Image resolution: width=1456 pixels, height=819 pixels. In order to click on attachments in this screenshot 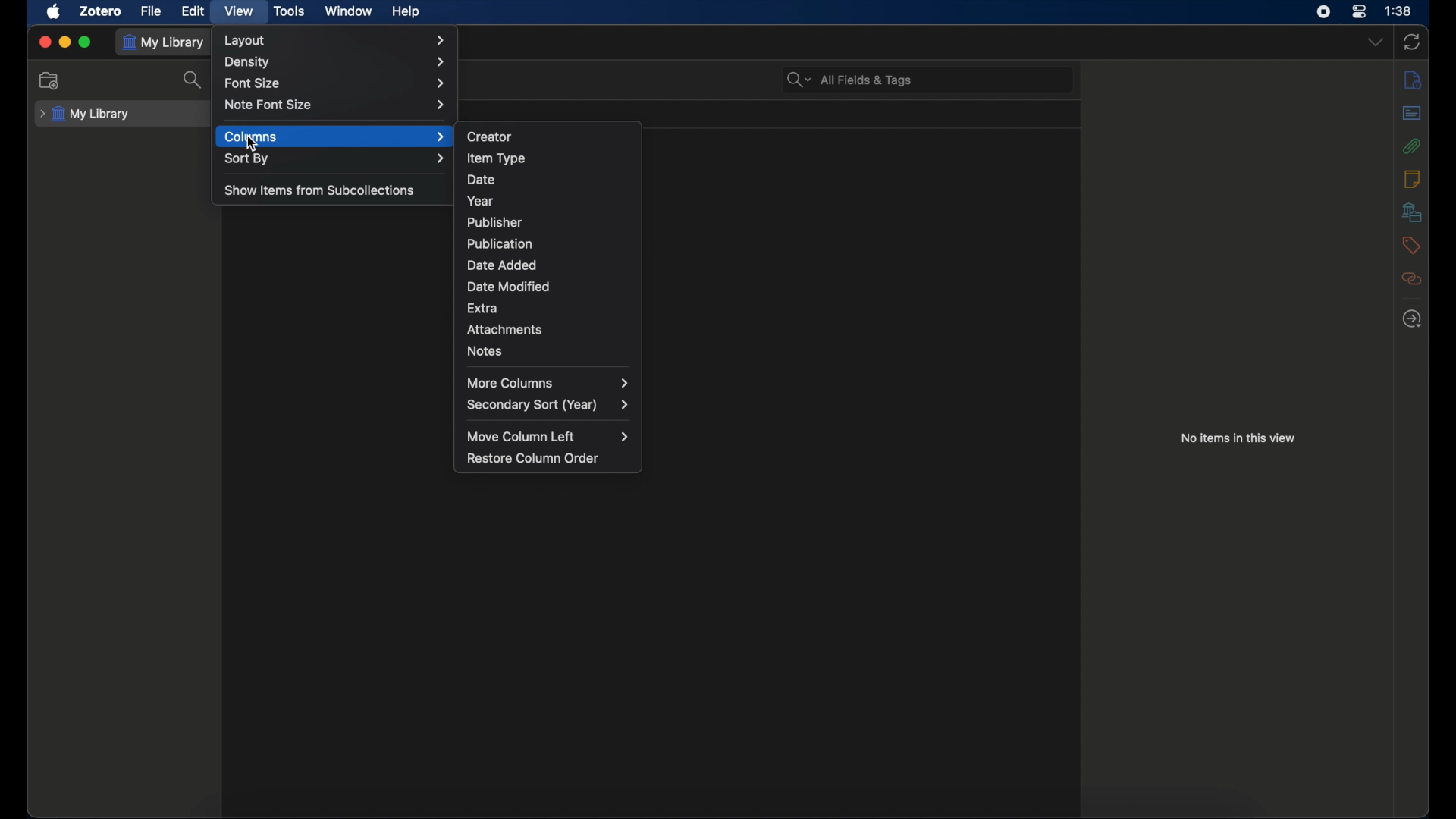, I will do `click(1412, 146)`.